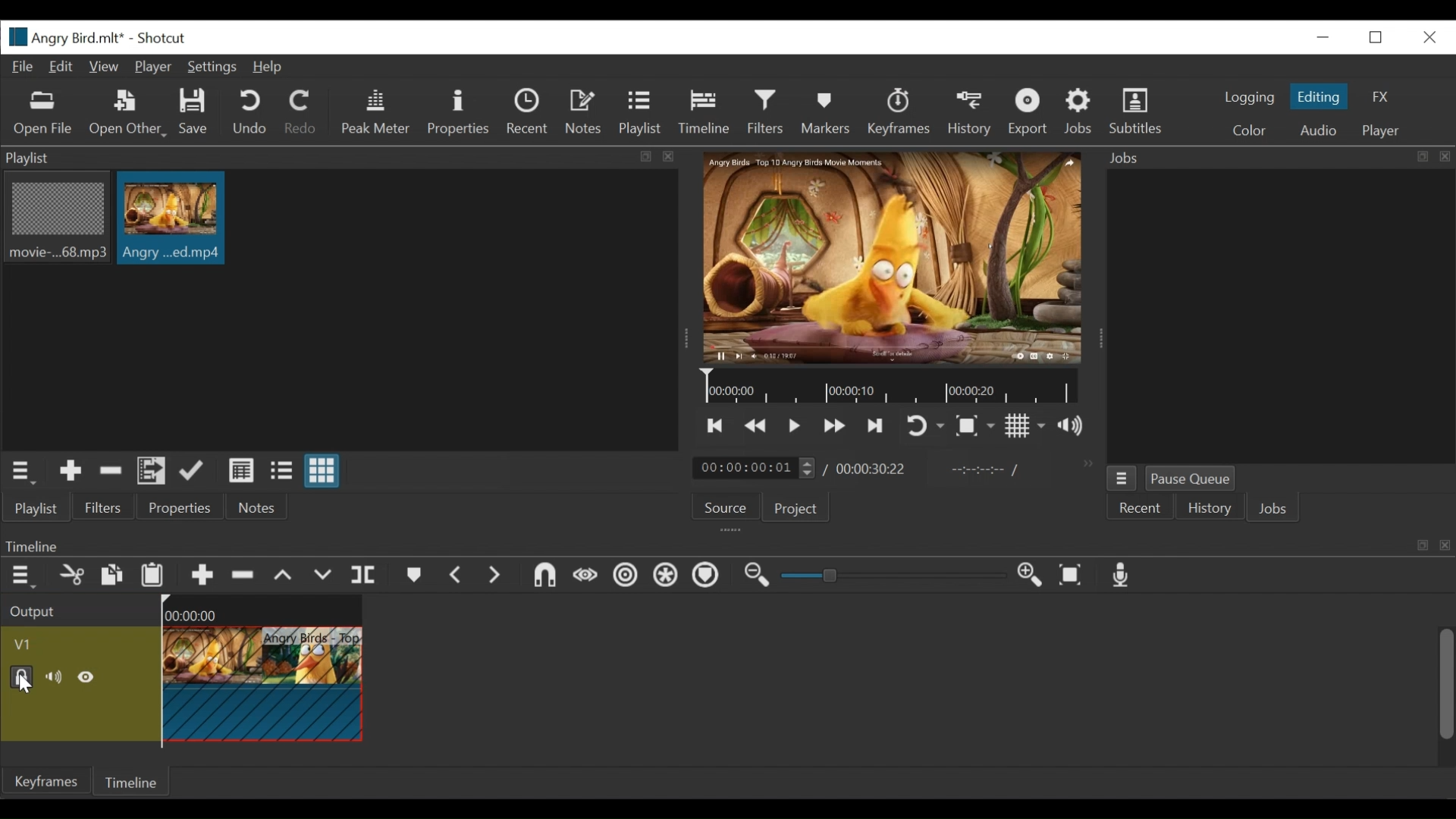  I want to click on Cursor, so click(29, 686).